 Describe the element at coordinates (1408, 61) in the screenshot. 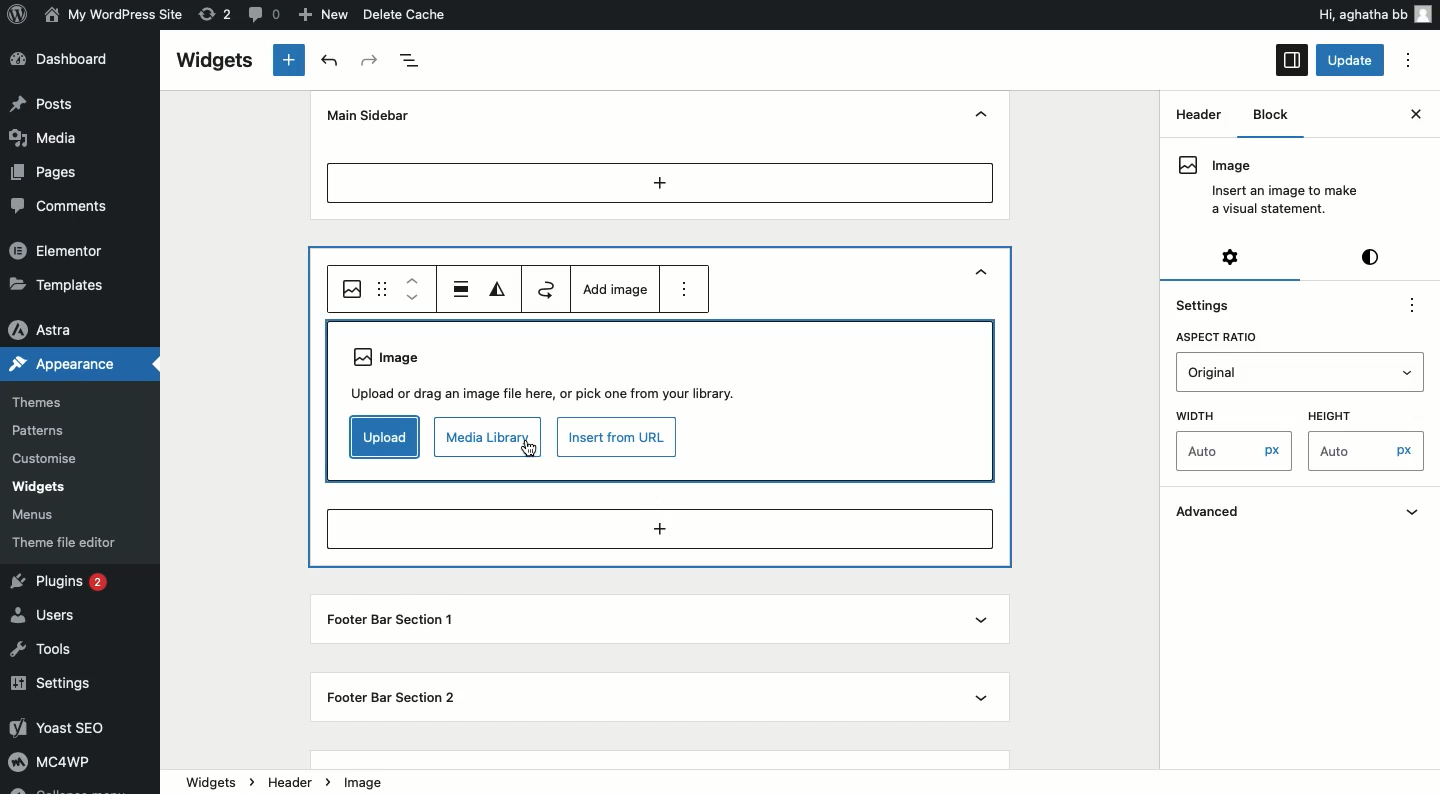

I see `Options` at that location.